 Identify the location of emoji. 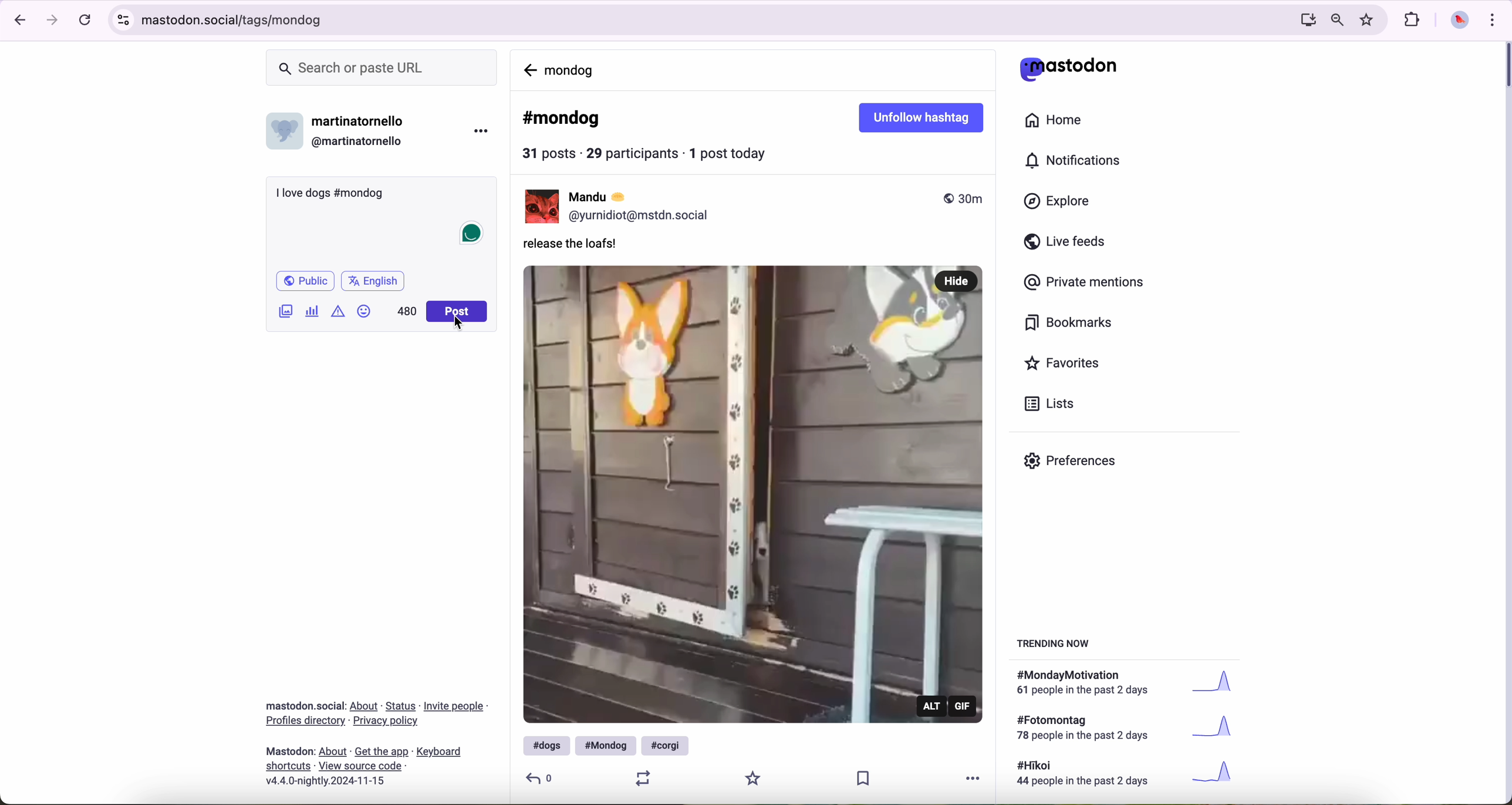
(364, 312).